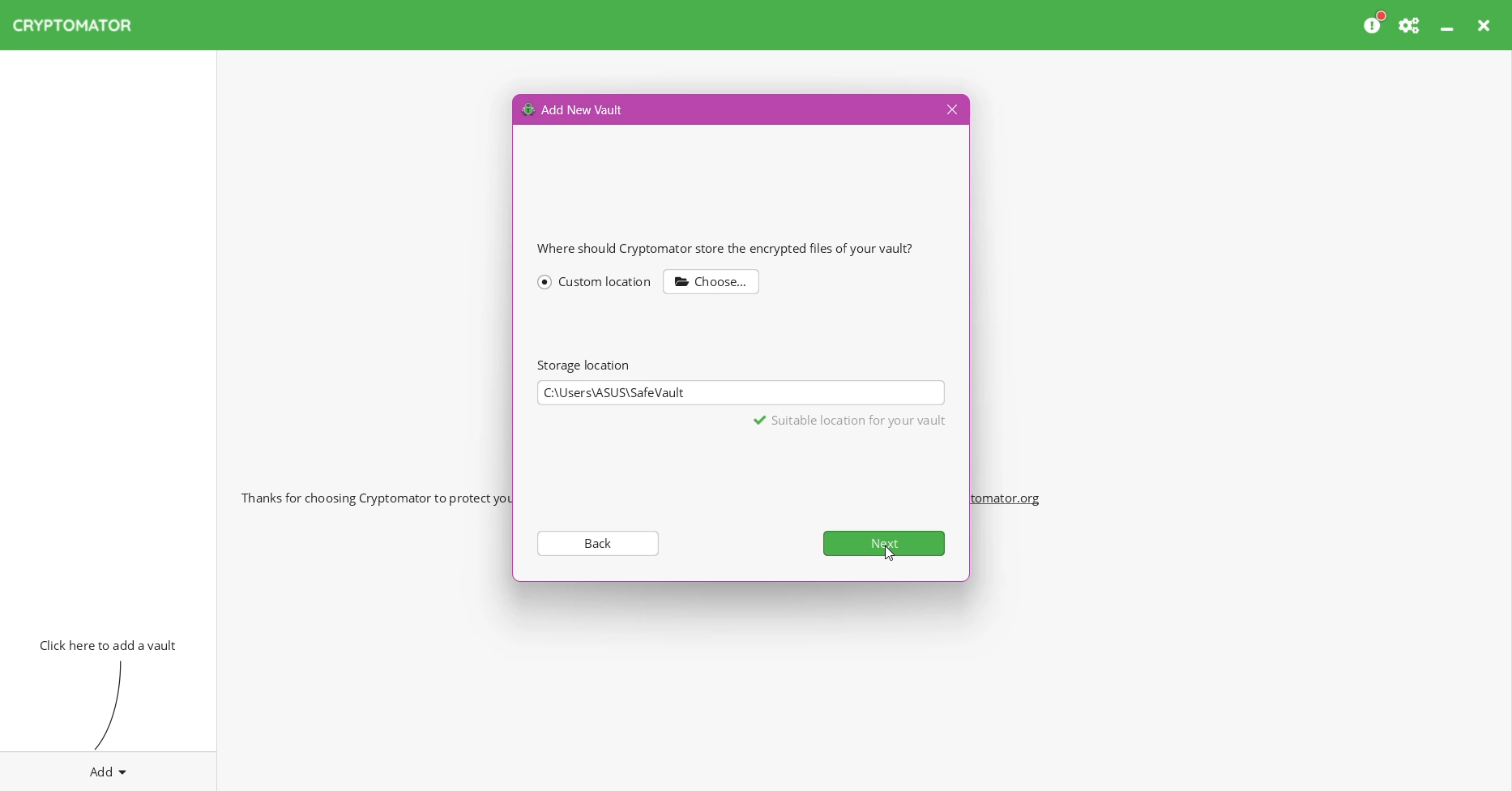 Image resolution: width=1512 pixels, height=791 pixels. I want to click on Customize, so click(713, 280).